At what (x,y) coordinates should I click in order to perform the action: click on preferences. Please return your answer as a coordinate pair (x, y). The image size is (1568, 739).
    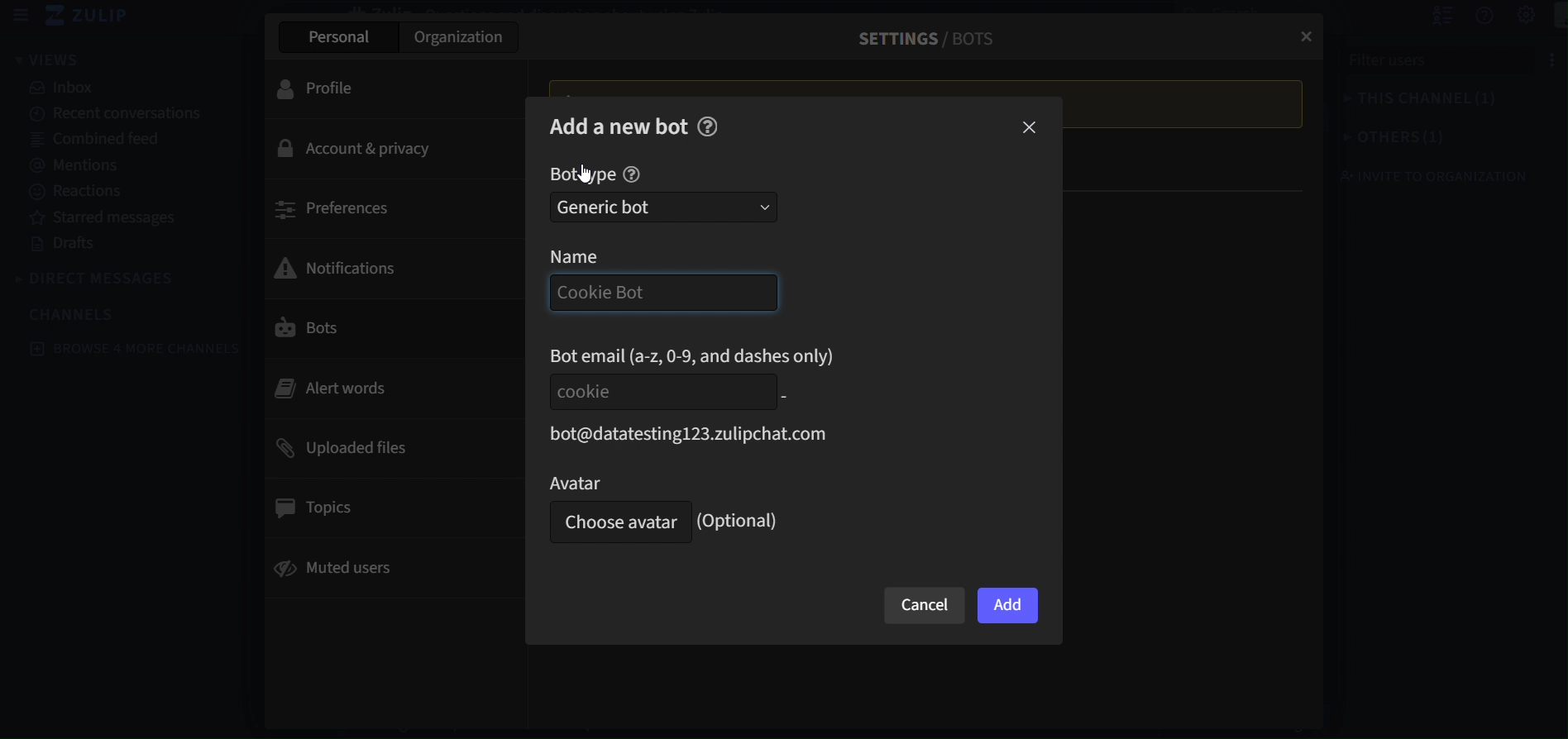
    Looking at the image, I should click on (381, 207).